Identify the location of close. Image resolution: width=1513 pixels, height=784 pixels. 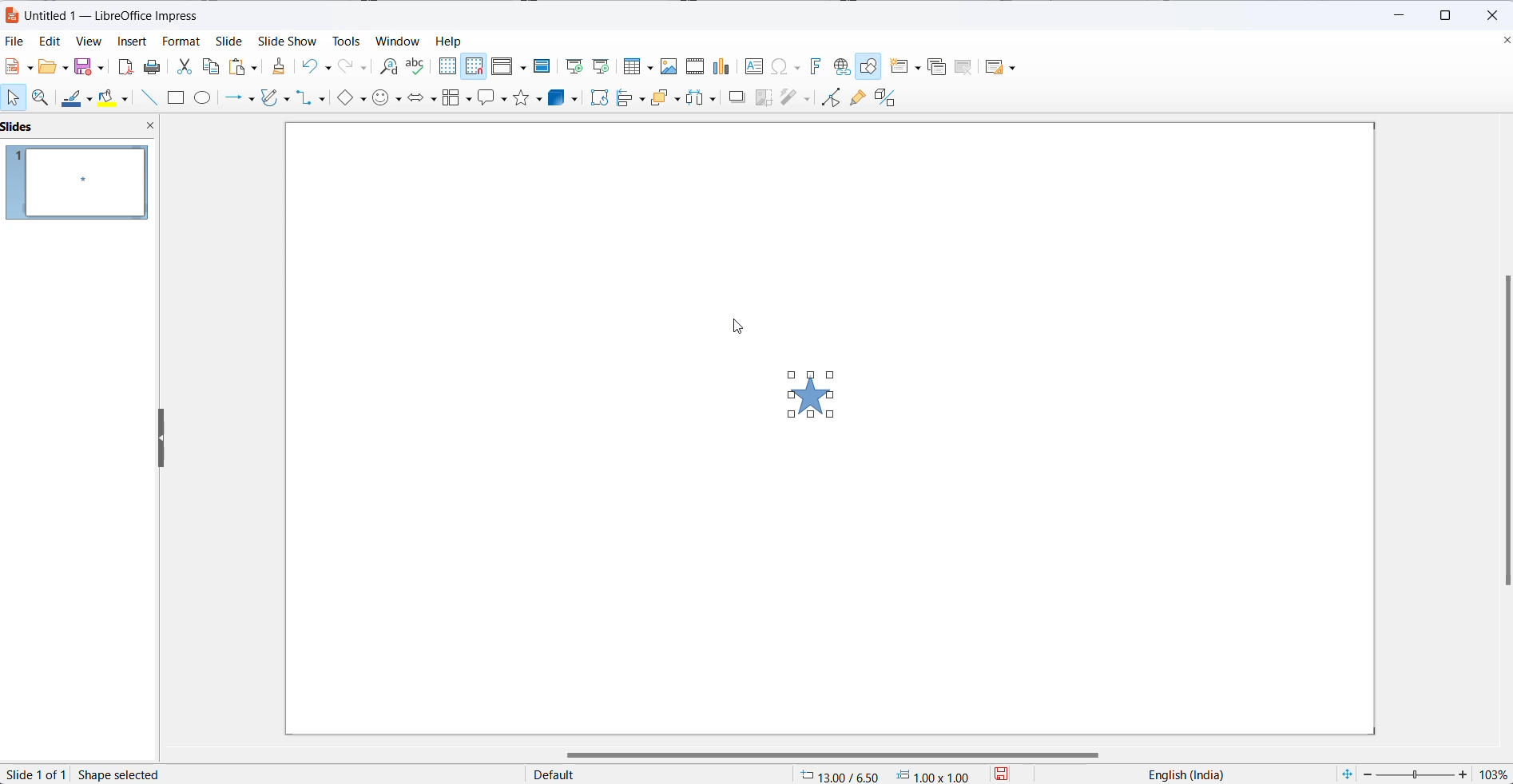
(1496, 16).